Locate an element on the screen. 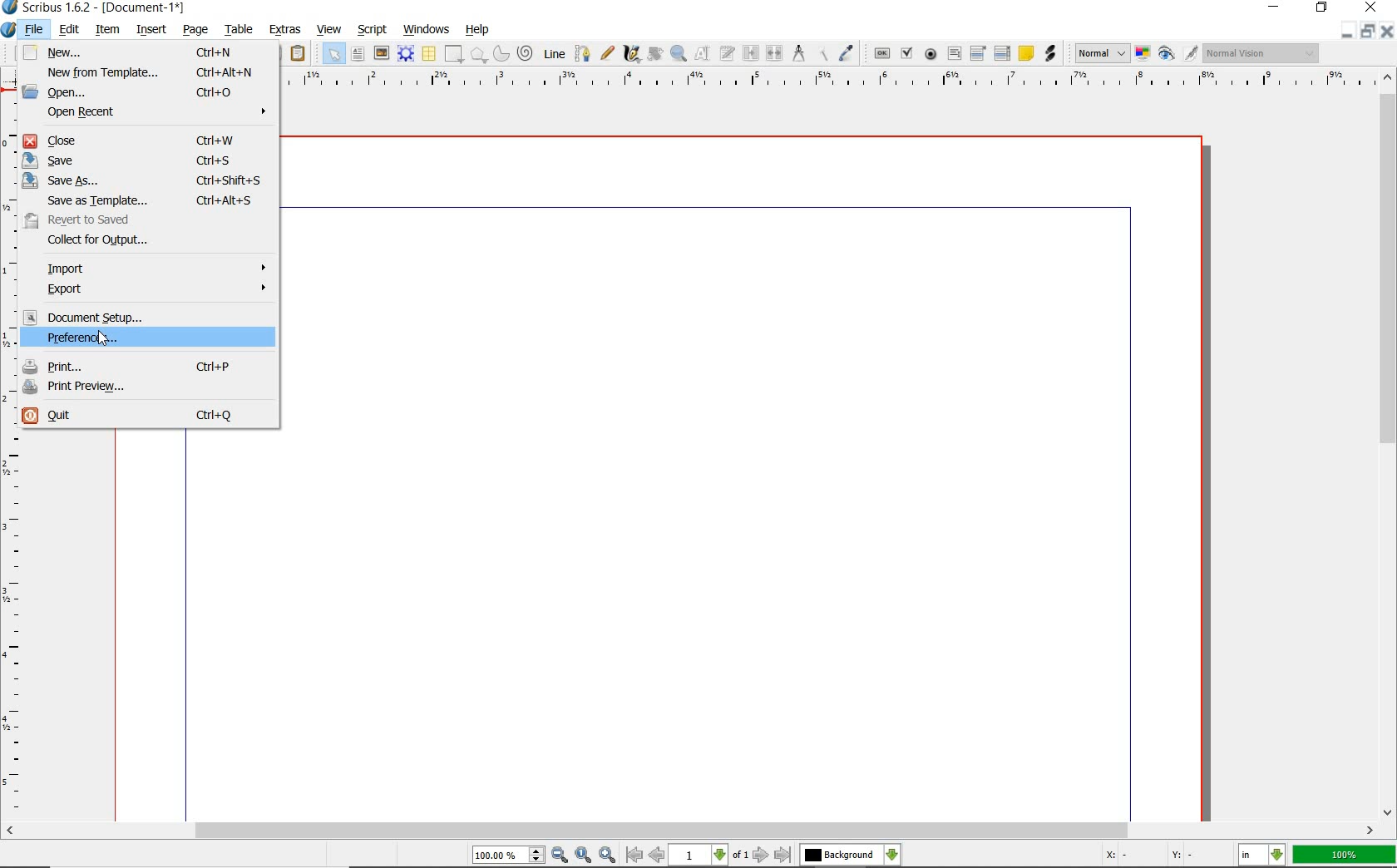  unlink text frames is located at coordinates (773, 55).